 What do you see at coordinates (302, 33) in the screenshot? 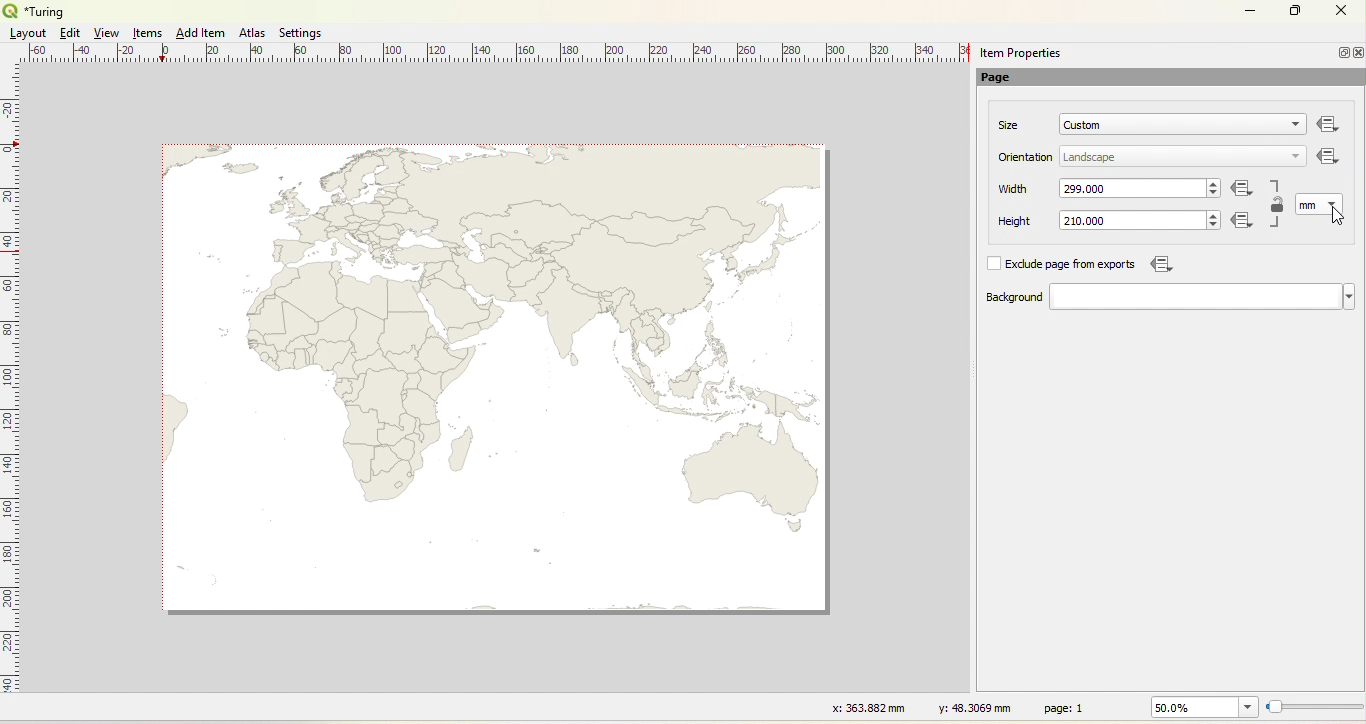
I see `Settings` at bounding box center [302, 33].